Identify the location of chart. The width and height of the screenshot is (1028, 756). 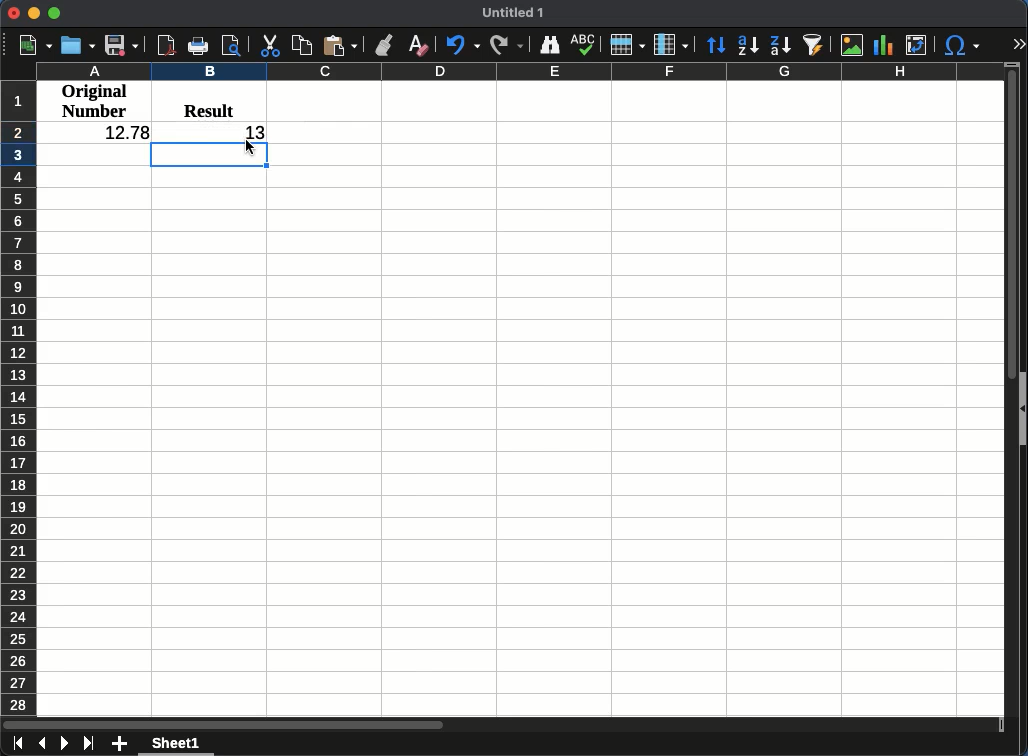
(883, 44).